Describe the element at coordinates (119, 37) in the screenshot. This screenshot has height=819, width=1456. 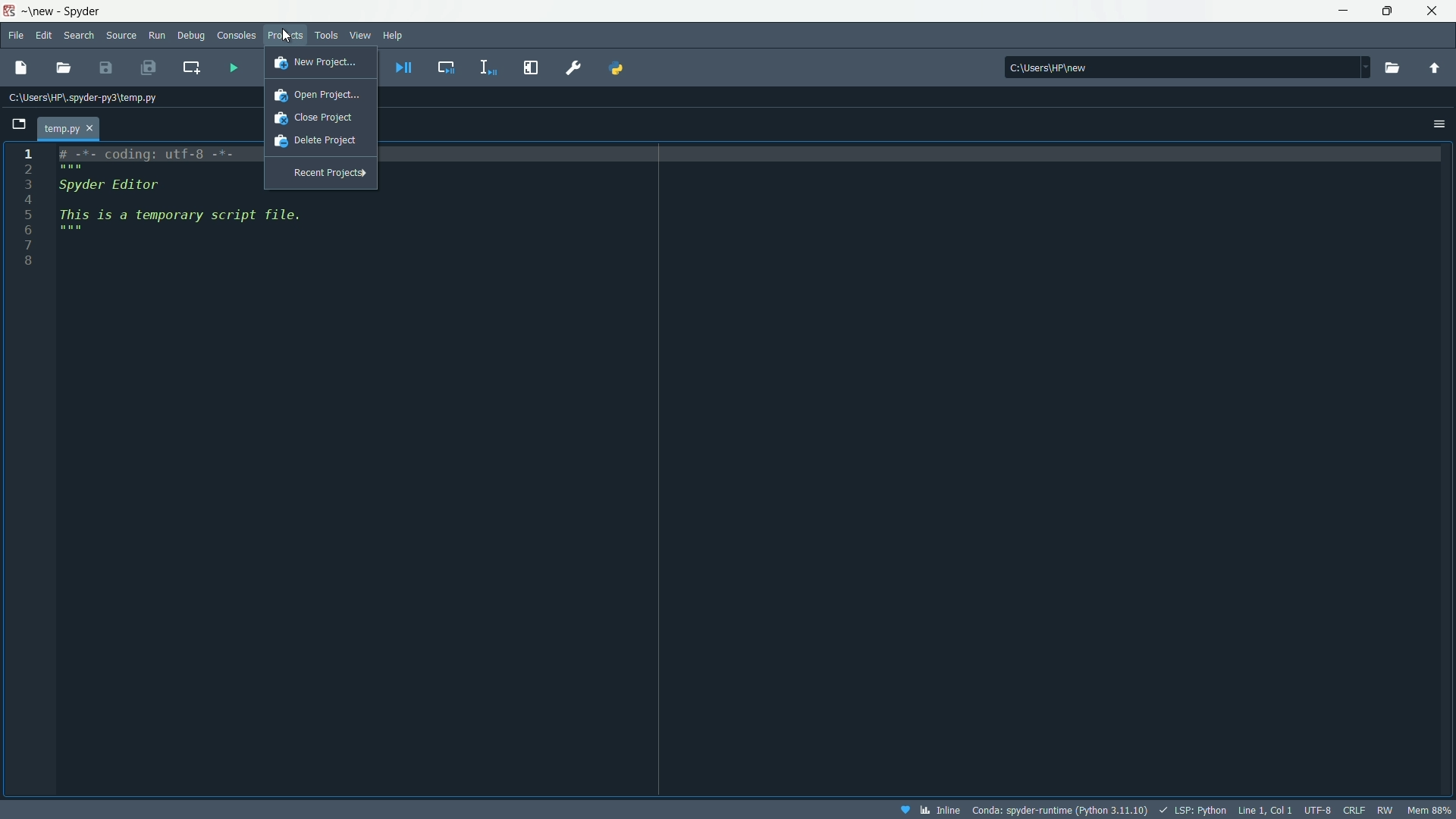
I see `Source menu` at that location.